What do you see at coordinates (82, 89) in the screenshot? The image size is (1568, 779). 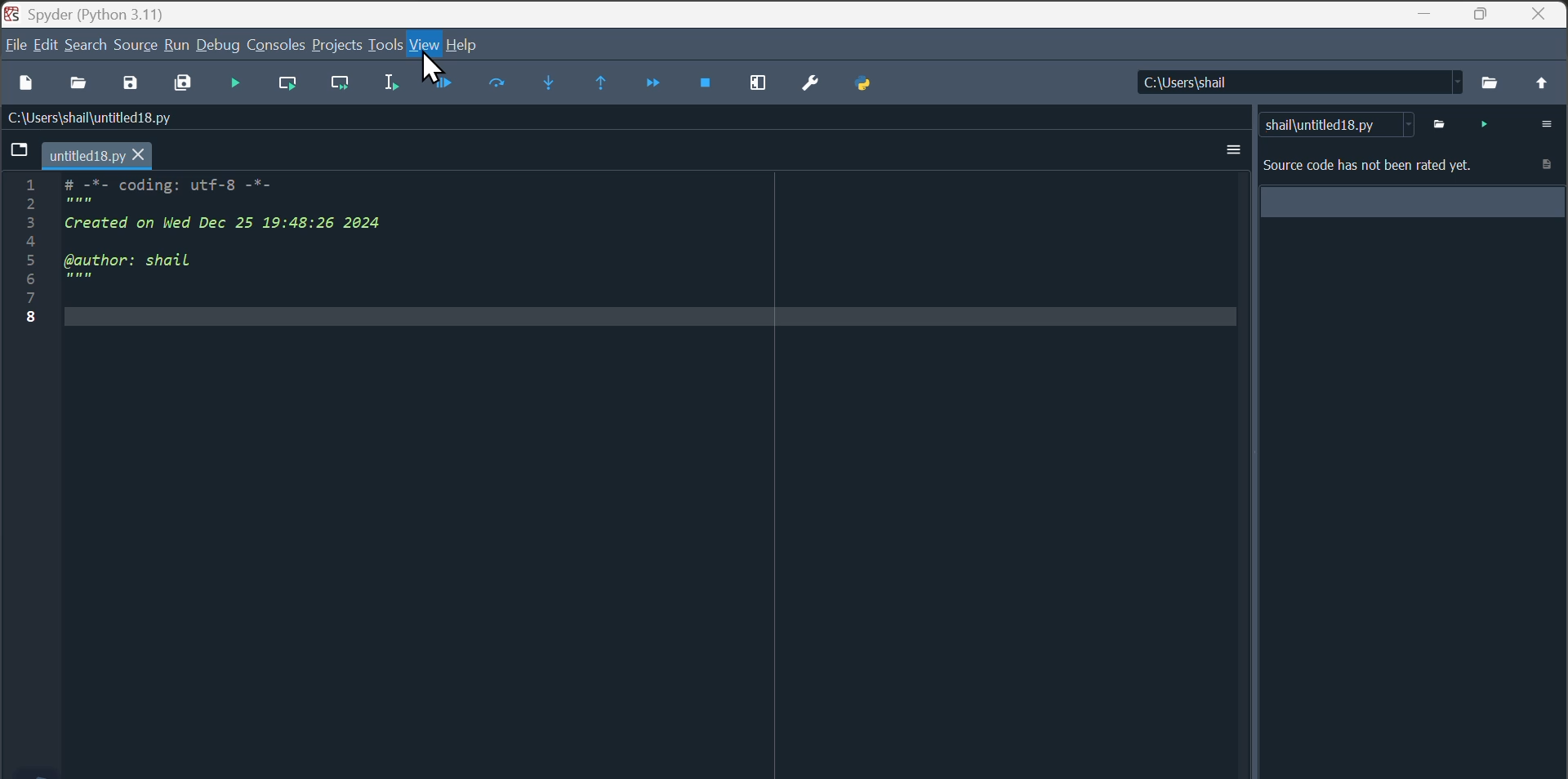 I see `Open` at bounding box center [82, 89].